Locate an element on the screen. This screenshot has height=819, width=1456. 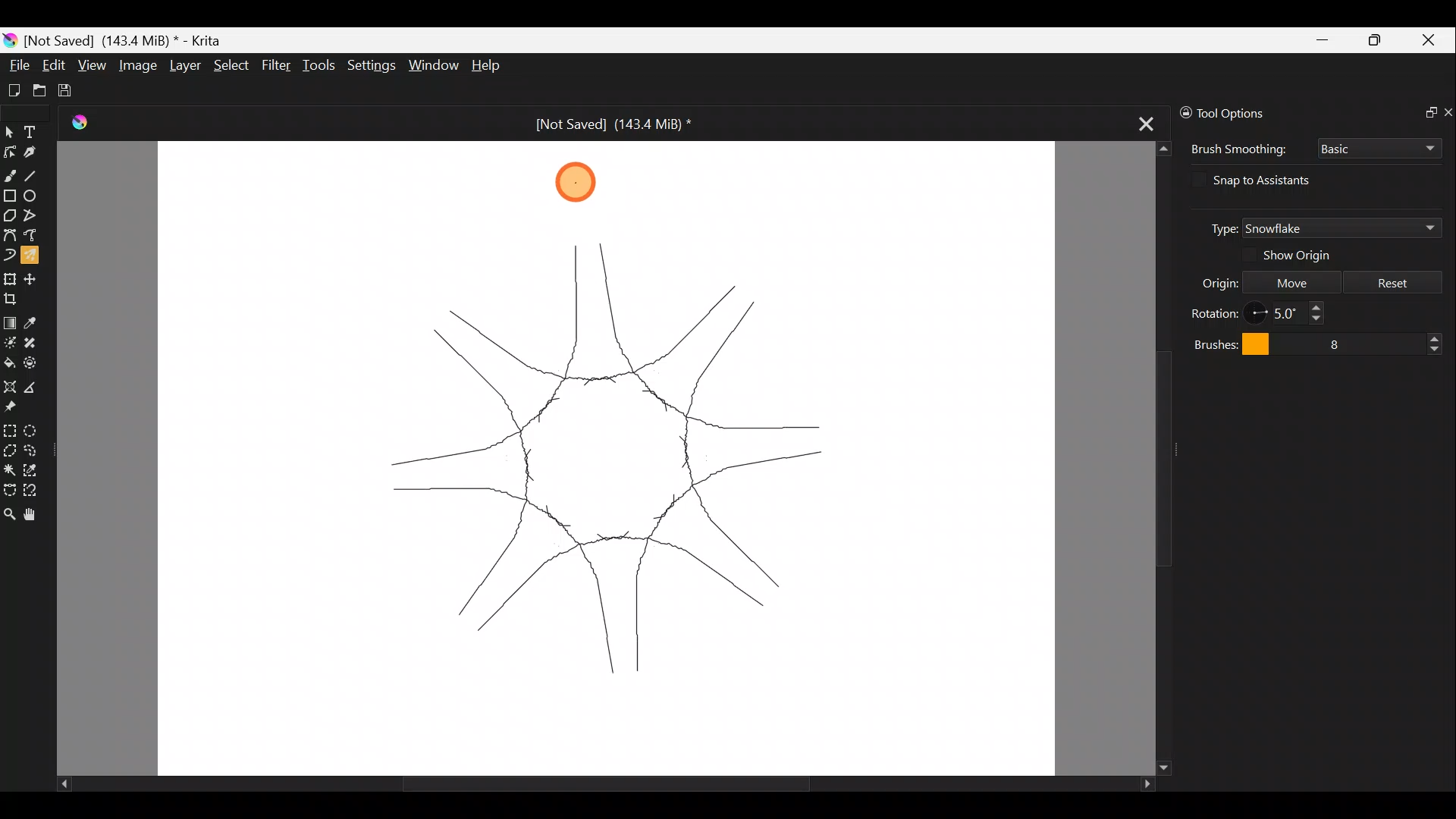
Basic is located at coordinates (1379, 149).